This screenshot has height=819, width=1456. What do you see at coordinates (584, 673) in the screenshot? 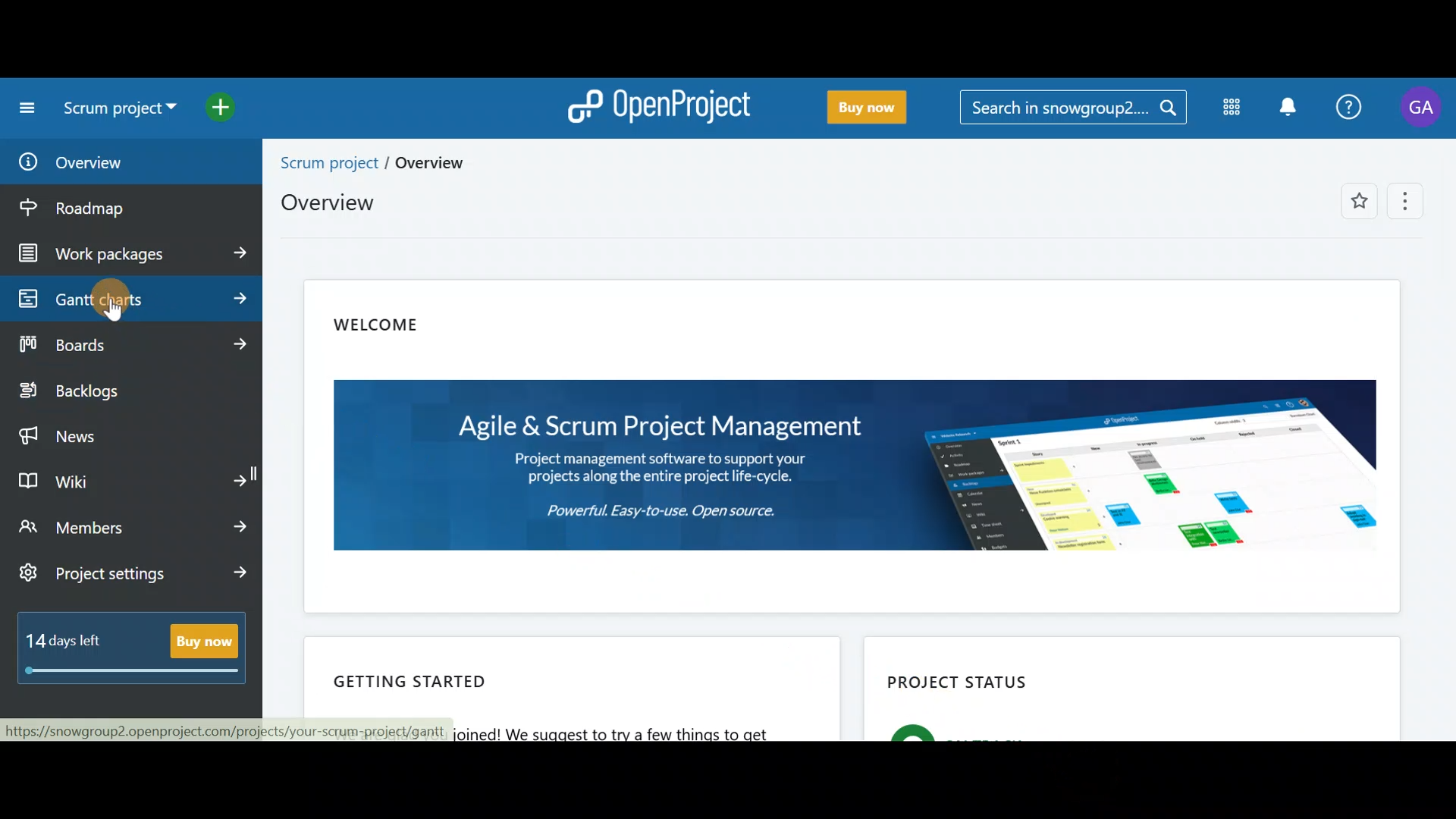
I see `Getting started` at bounding box center [584, 673].